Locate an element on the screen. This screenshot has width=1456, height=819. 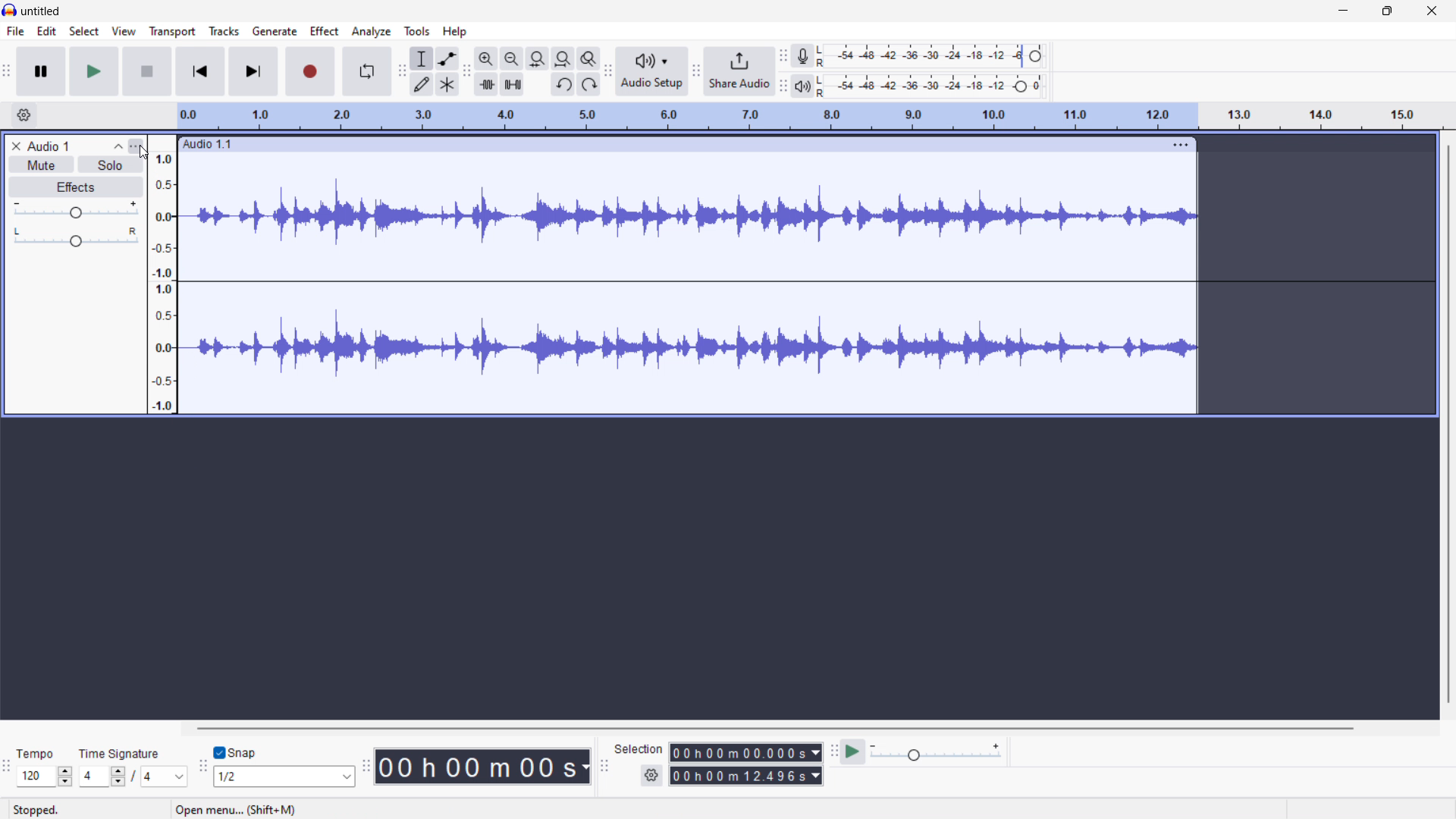
record is located at coordinates (310, 72).